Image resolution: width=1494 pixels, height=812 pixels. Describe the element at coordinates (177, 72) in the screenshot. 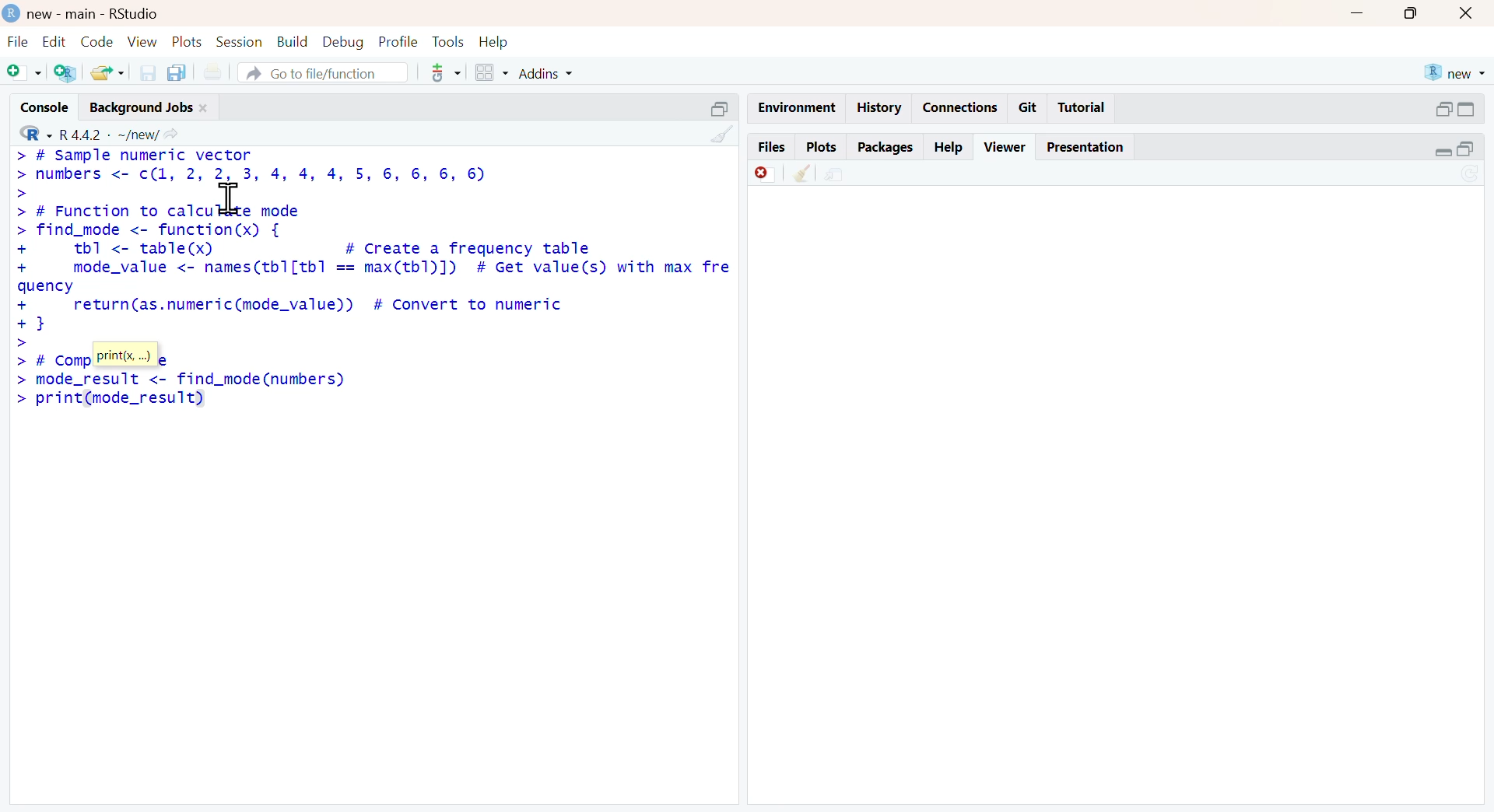

I see `copy` at that location.